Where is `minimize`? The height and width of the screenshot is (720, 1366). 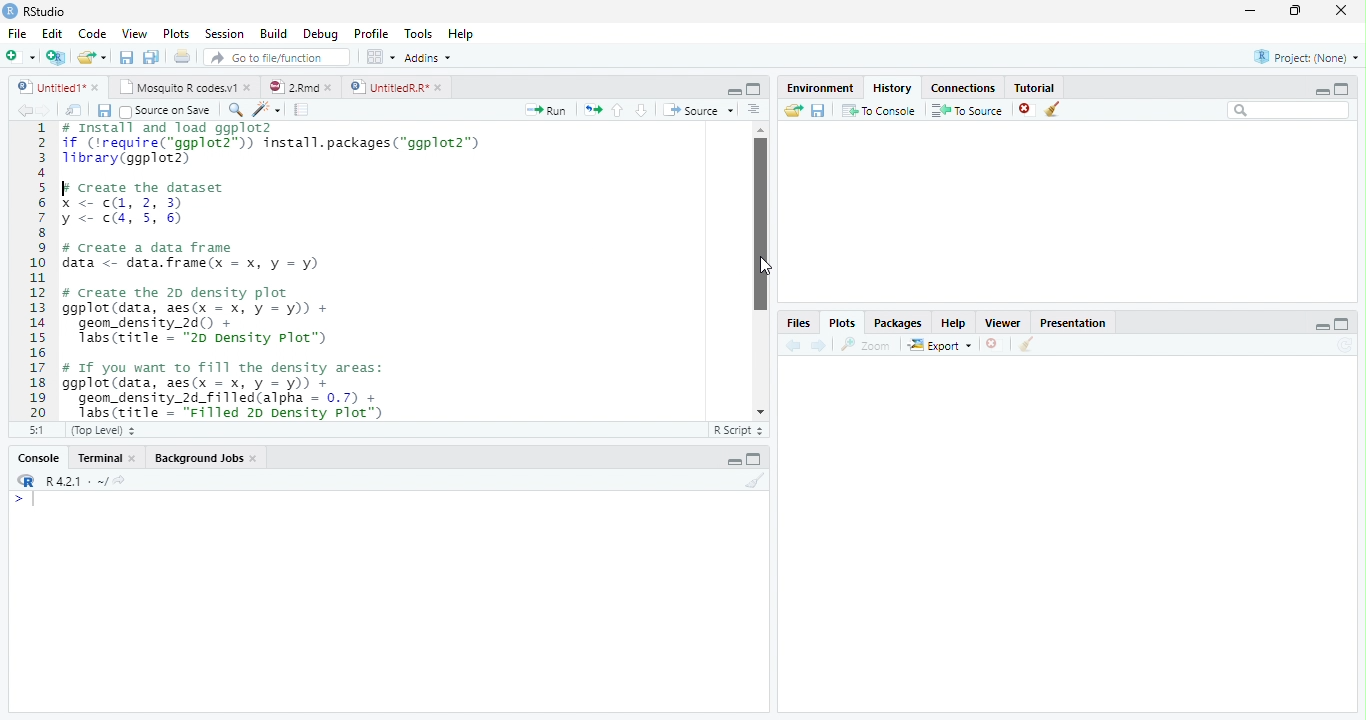
minimize is located at coordinates (734, 462).